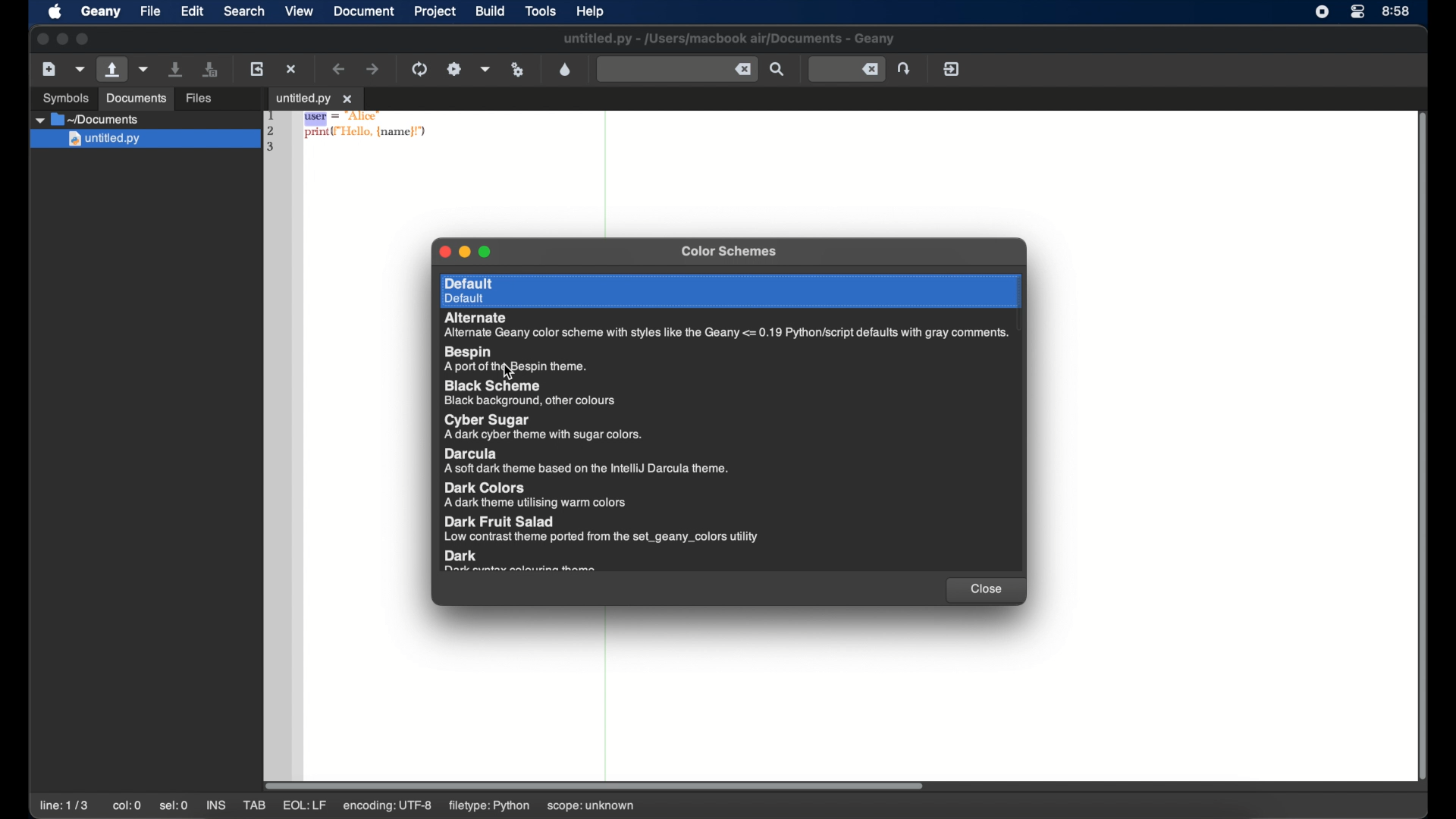 This screenshot has width=1456, height=819. Describe the element at coordinates (80, 69) in the screenshot. I see `create a new file from template` at that location.